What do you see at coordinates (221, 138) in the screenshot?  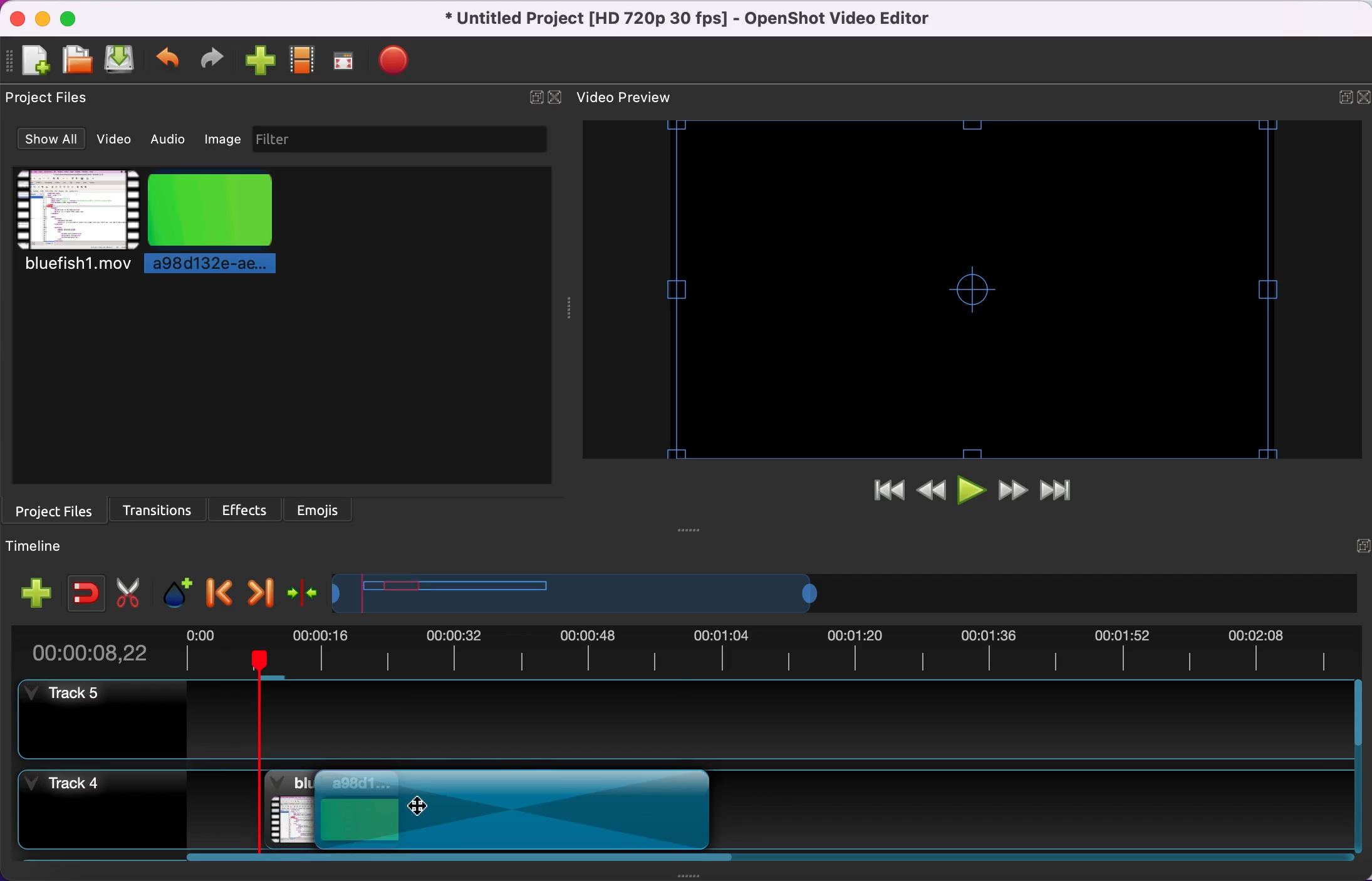 I see `image` at bounding box center [221, 138].